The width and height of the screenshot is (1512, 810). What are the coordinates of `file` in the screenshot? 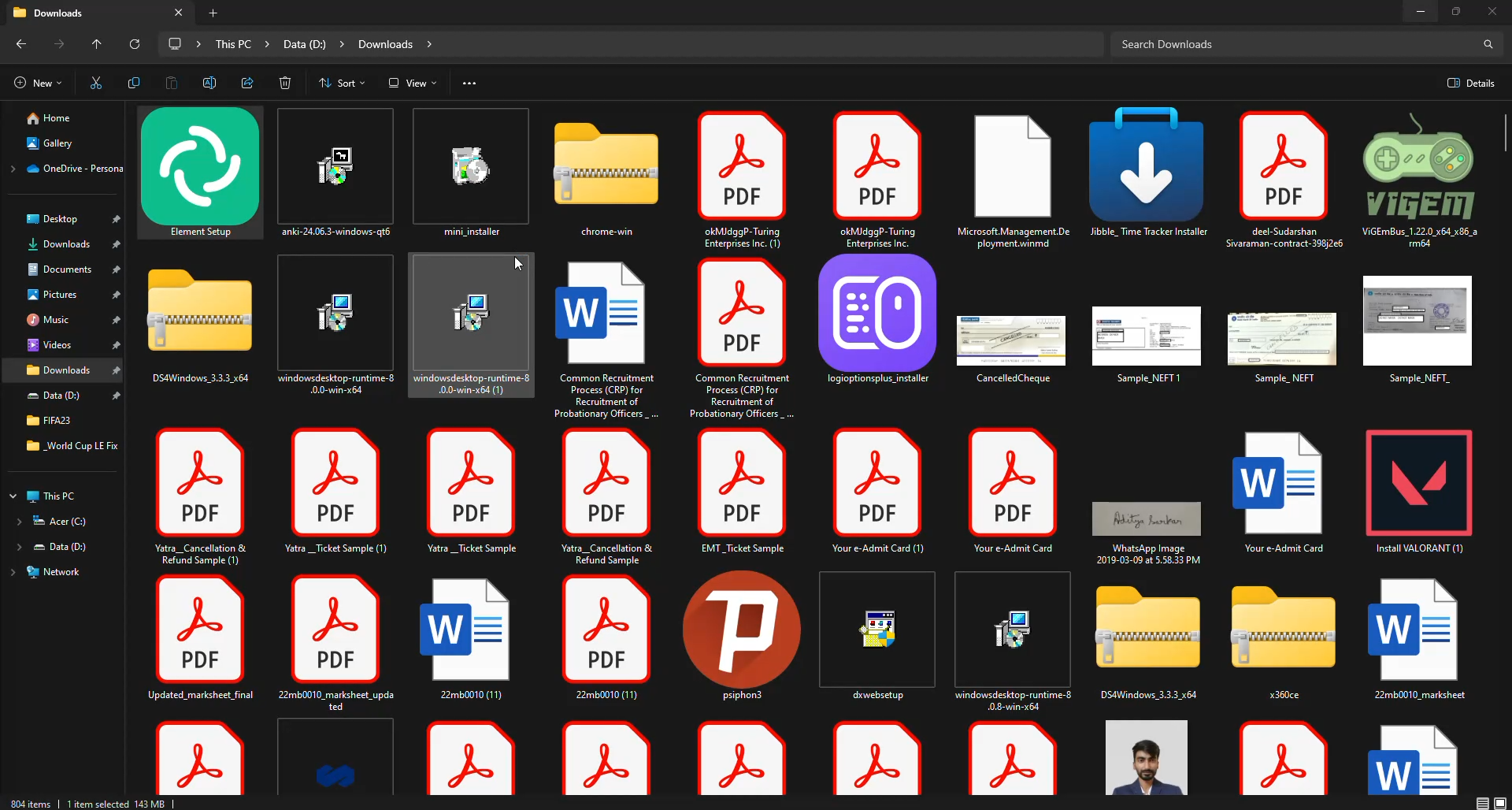 It's located at (1284, 755).